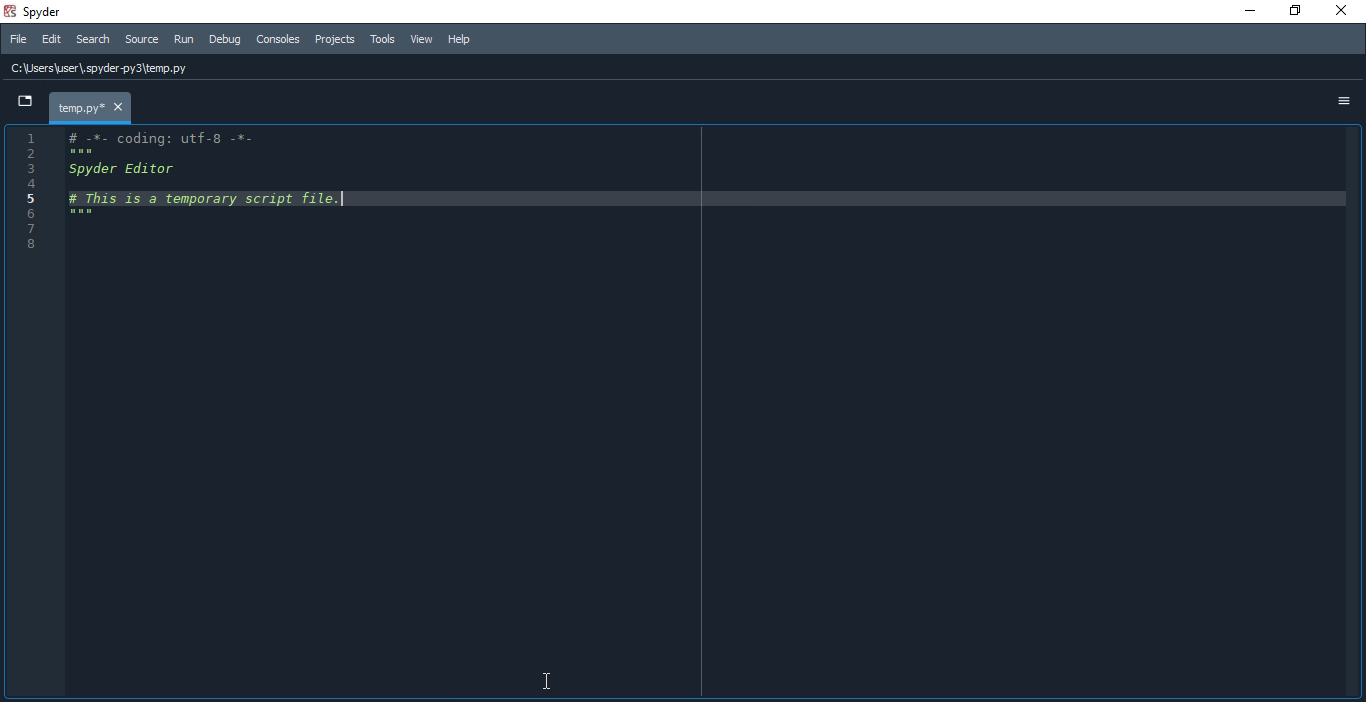  I want to click on options, so click(1342, 100).